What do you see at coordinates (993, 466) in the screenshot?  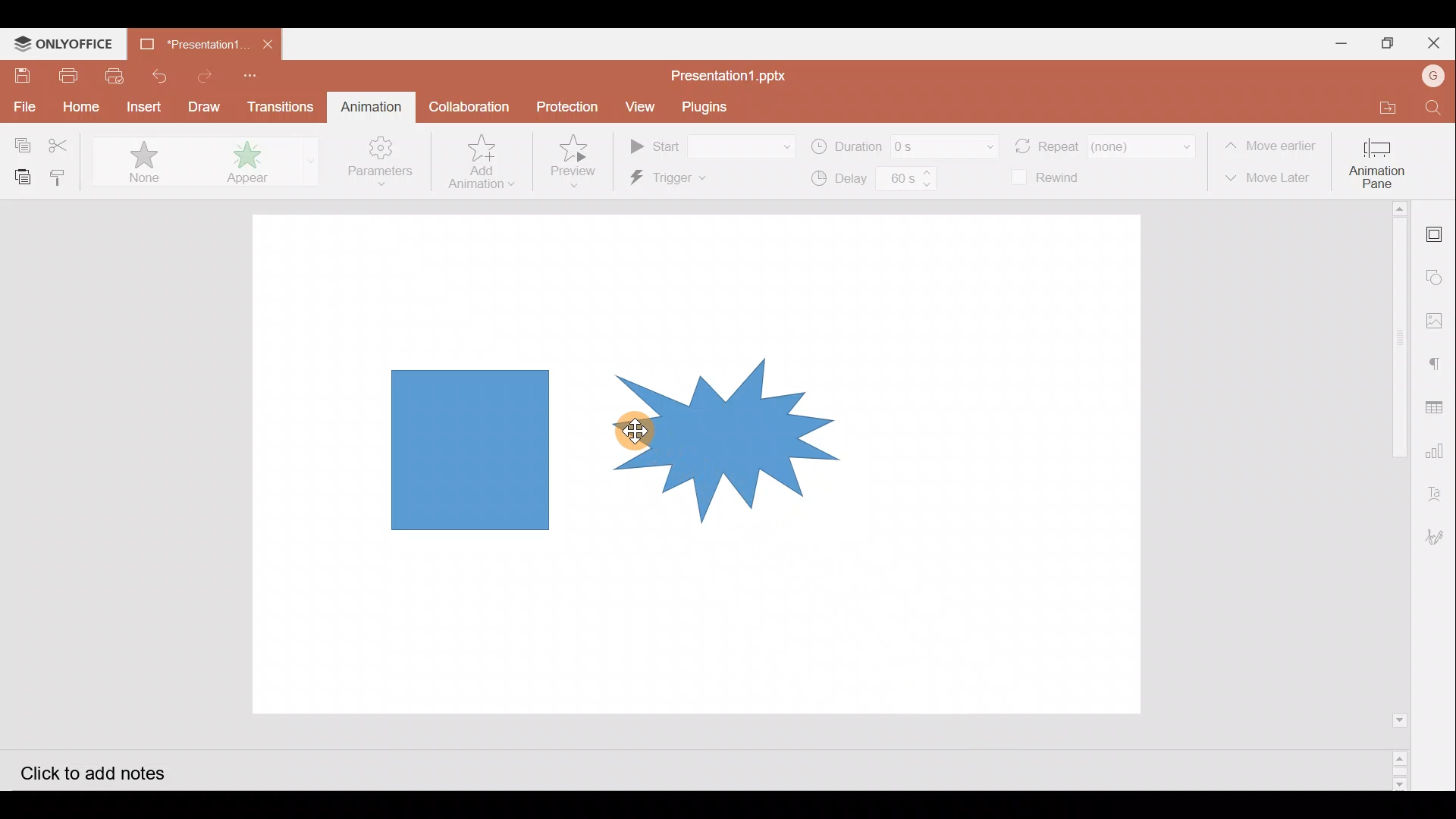 I see `Presentation slide` at bounding box center [993, 466].